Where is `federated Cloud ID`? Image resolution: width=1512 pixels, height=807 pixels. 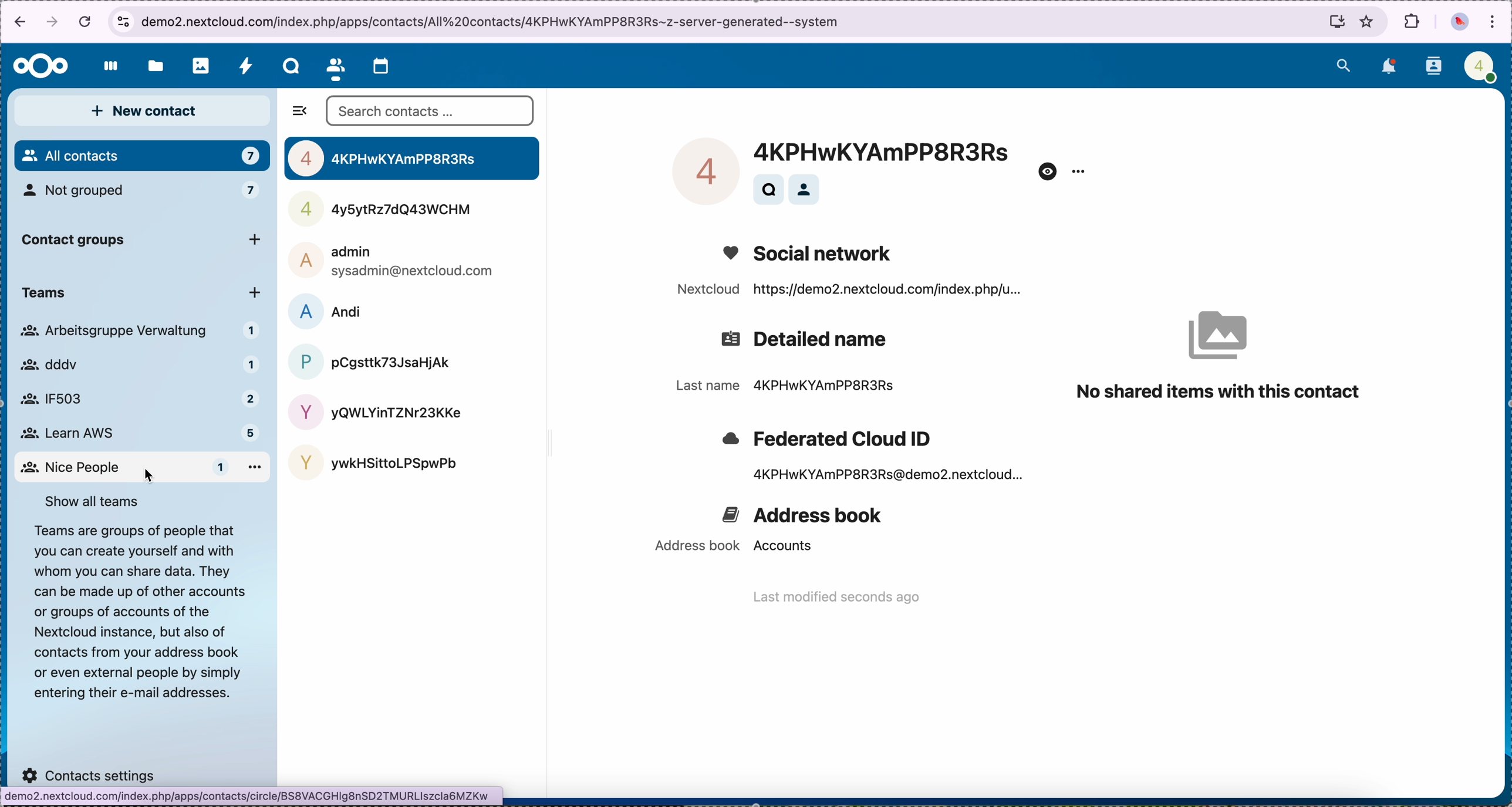 federated Cloud ID is located at coordinates (825, 437).